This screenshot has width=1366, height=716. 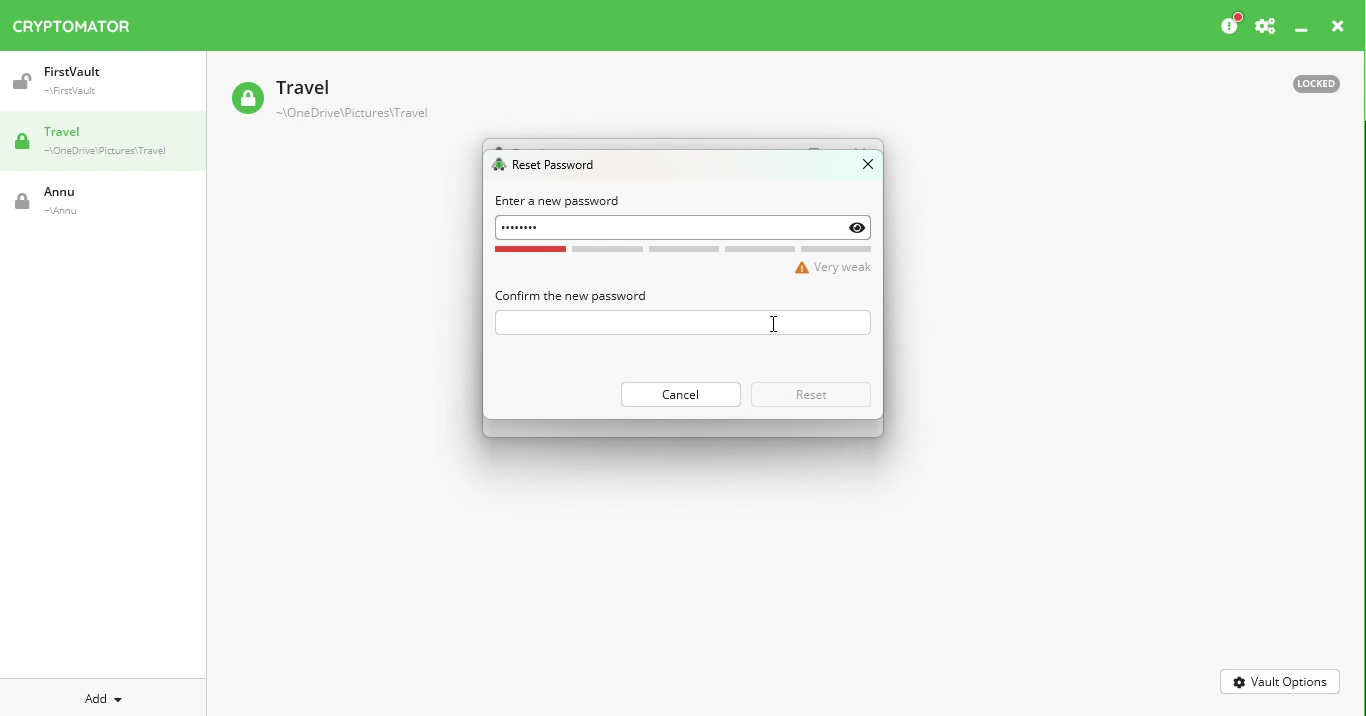 What do you see at coordinates (570, 295) in the screenshot?
I see `Confirm the new password` at bounding box center [570, 295].